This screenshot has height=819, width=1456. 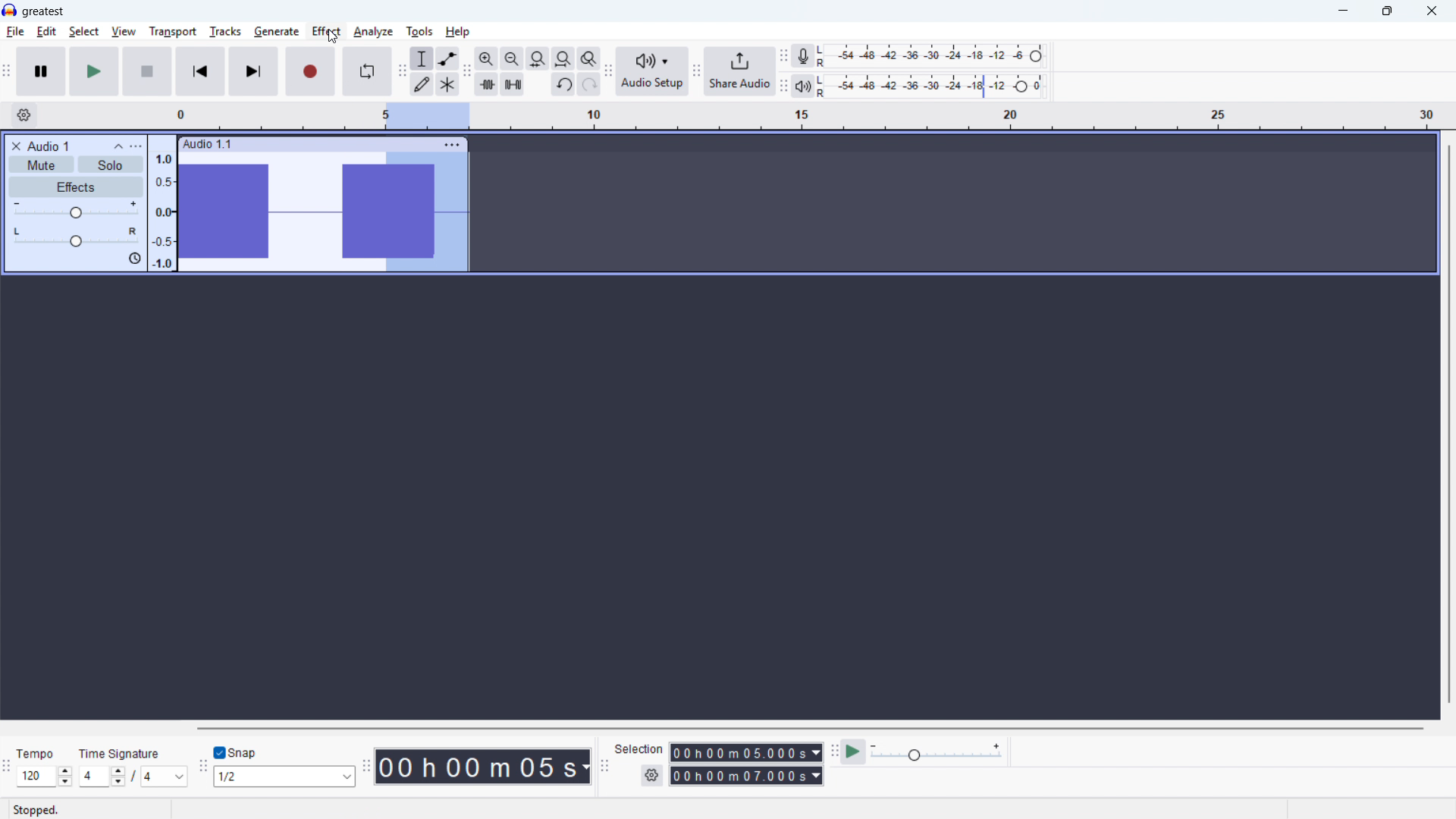 What do you see at coordinates (457, 240) in the screenshot?
I see `Cursor ` at bounding box center [457, 240].